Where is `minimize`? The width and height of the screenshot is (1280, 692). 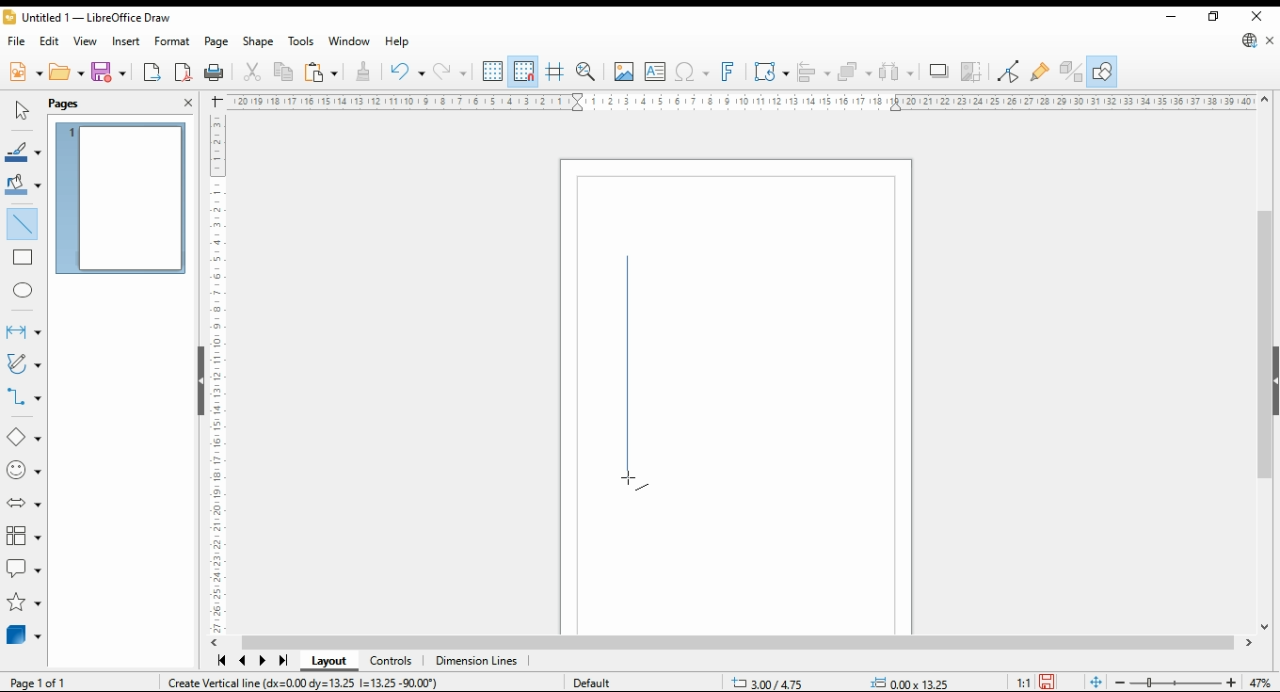 minimize is located at coordinates (1172, 17).